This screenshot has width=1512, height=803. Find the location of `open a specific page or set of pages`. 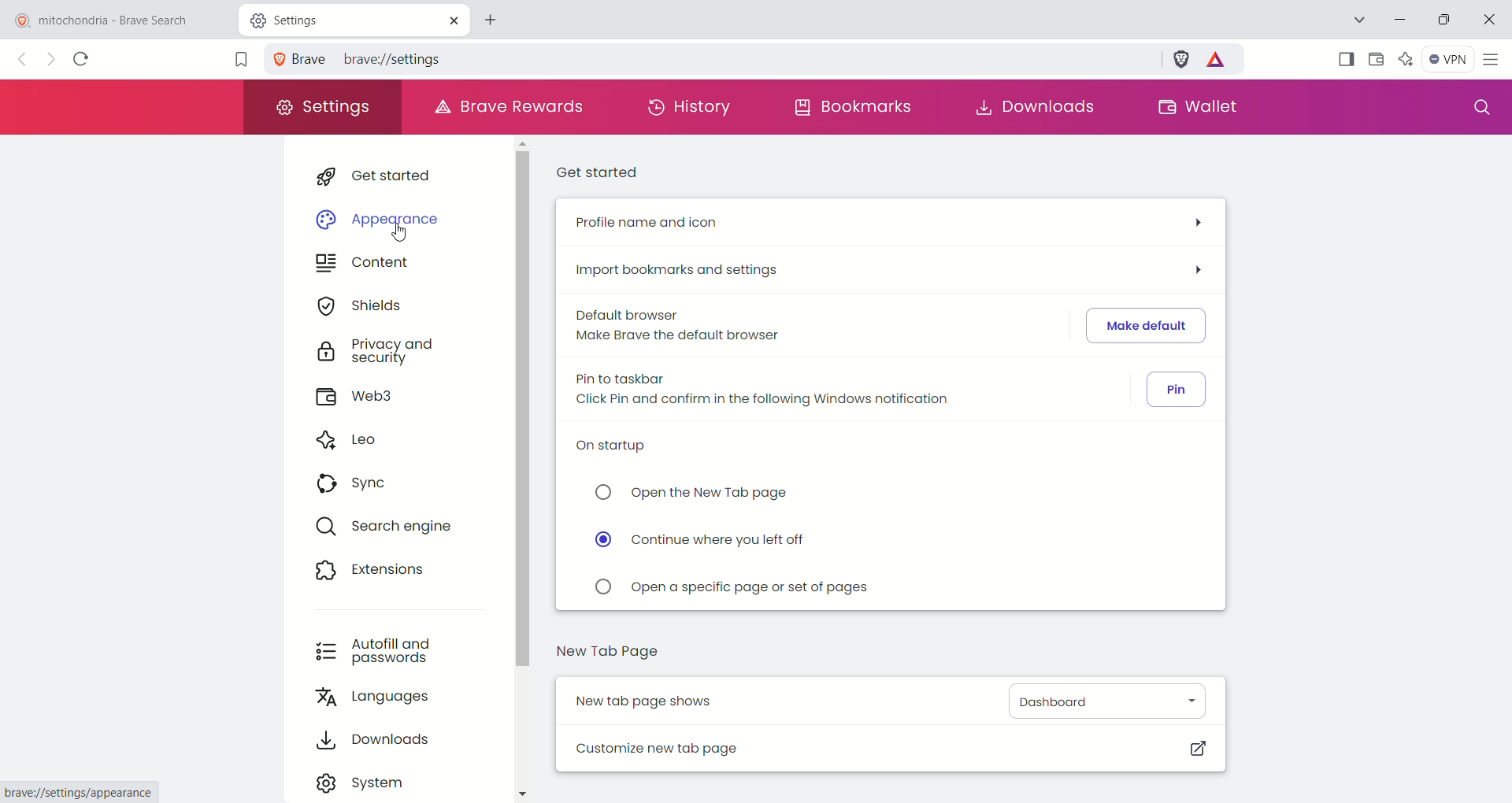

open a specific page or set of pages is located at coordinates (735, 590).